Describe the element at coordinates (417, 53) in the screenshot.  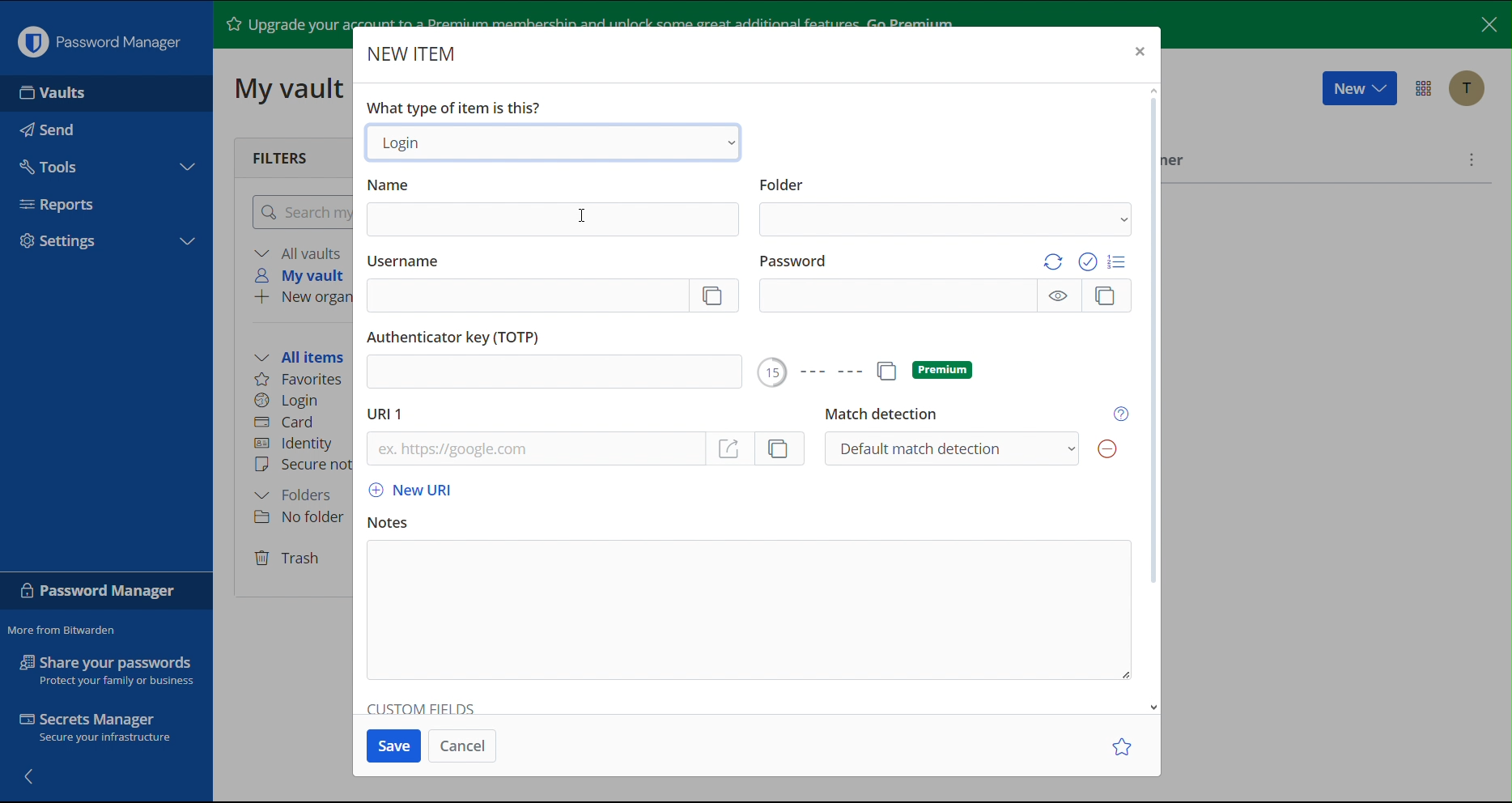
I see `New Item` at that location.